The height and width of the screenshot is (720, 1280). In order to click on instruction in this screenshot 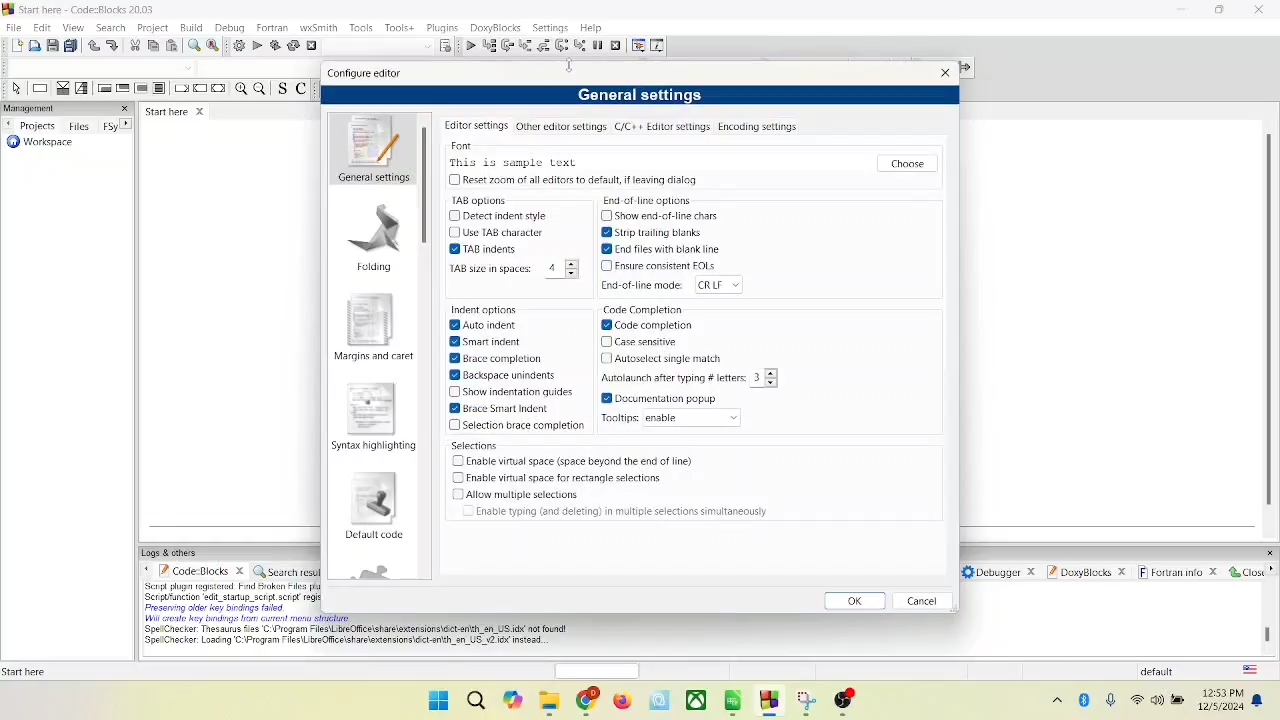, I will do `click(39, 88)`.